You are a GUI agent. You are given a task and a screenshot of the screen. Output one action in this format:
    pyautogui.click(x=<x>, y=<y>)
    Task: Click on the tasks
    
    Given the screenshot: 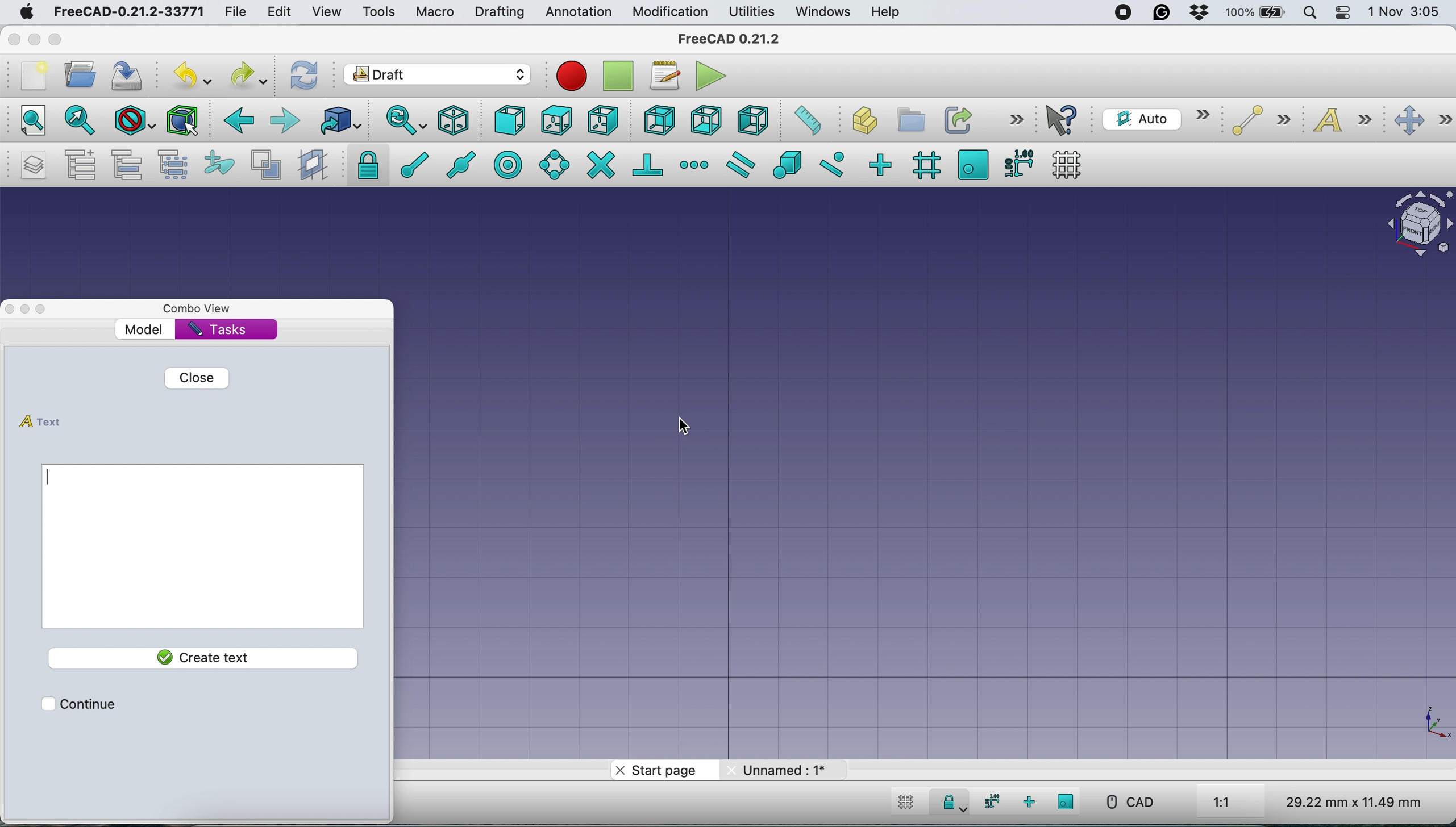 What is the action you would take?
    pyautogui.click(x=219, y=330)
    